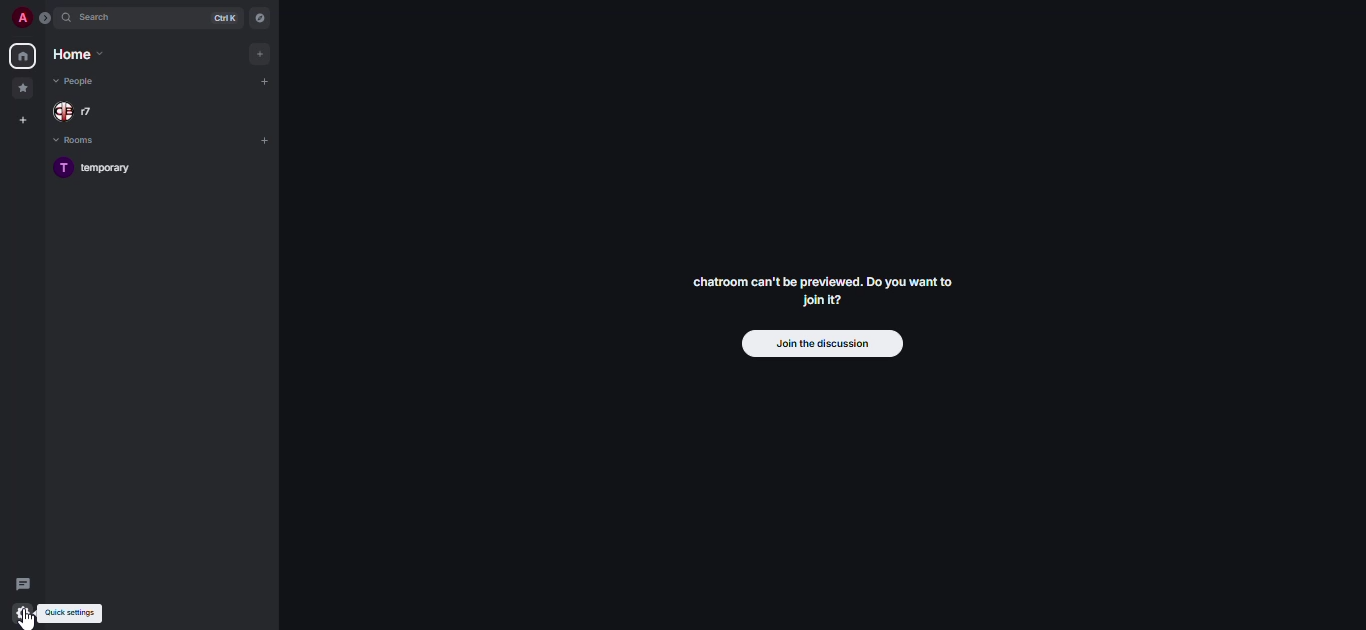 Image resolution: width=1366 pixels, height=630 pixels. What do you see at coordinates (262, 54) in the screenshot?
I see `add` at bounding box center [262, 54].